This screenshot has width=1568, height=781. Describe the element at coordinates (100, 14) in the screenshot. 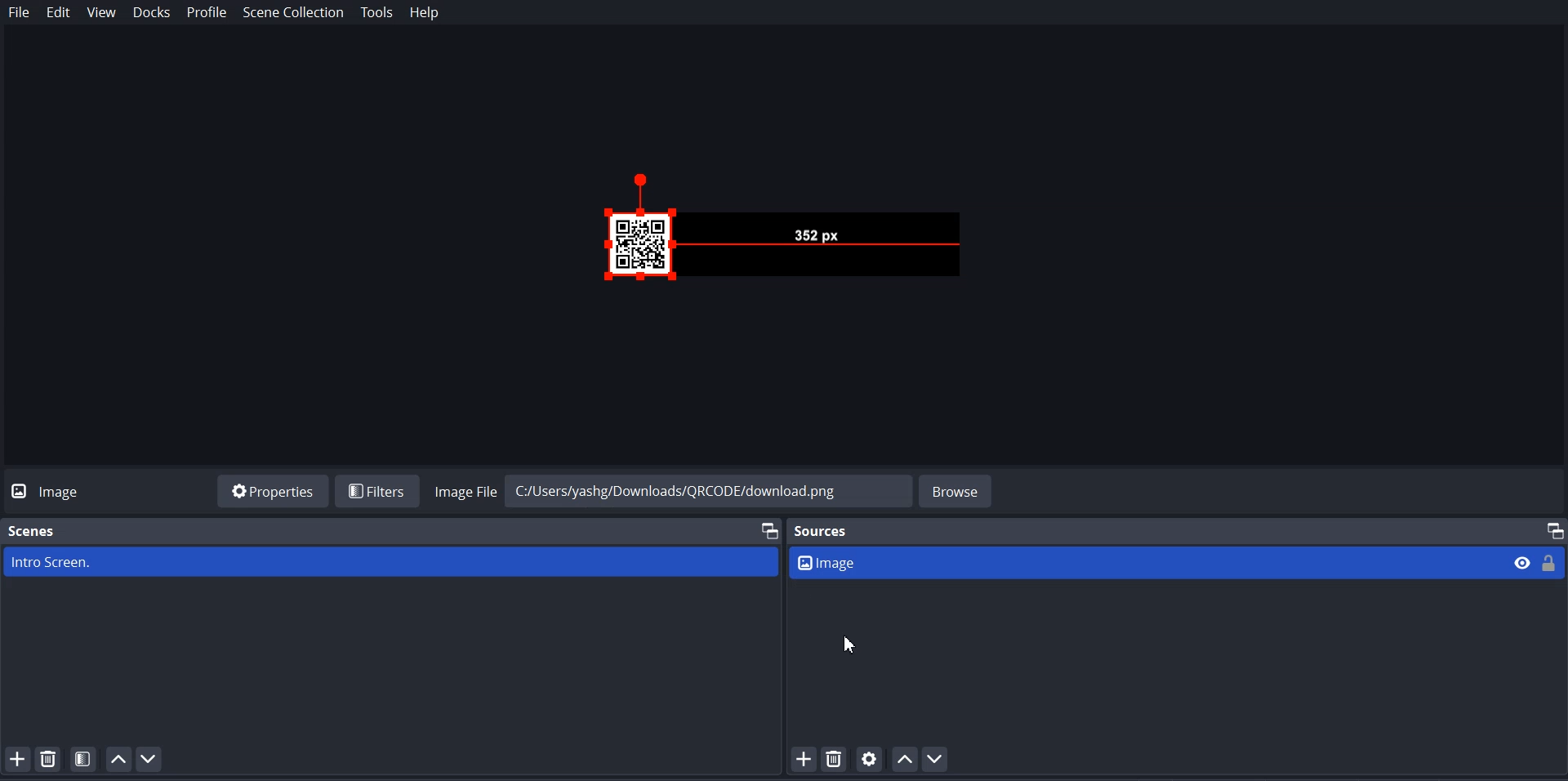

I see `View` at that location.